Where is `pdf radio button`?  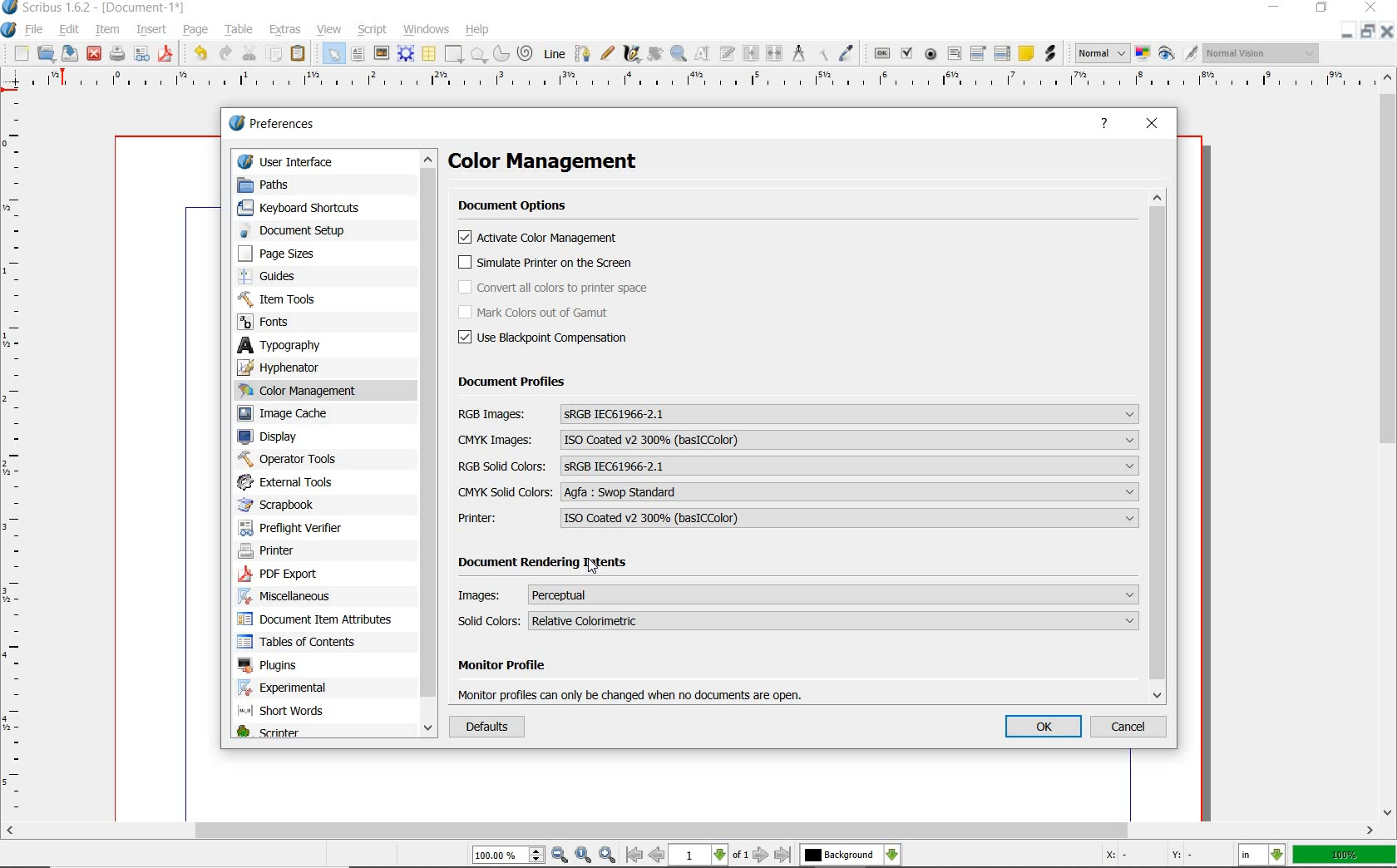 pdf radio button is located at coordinates (931, 55).